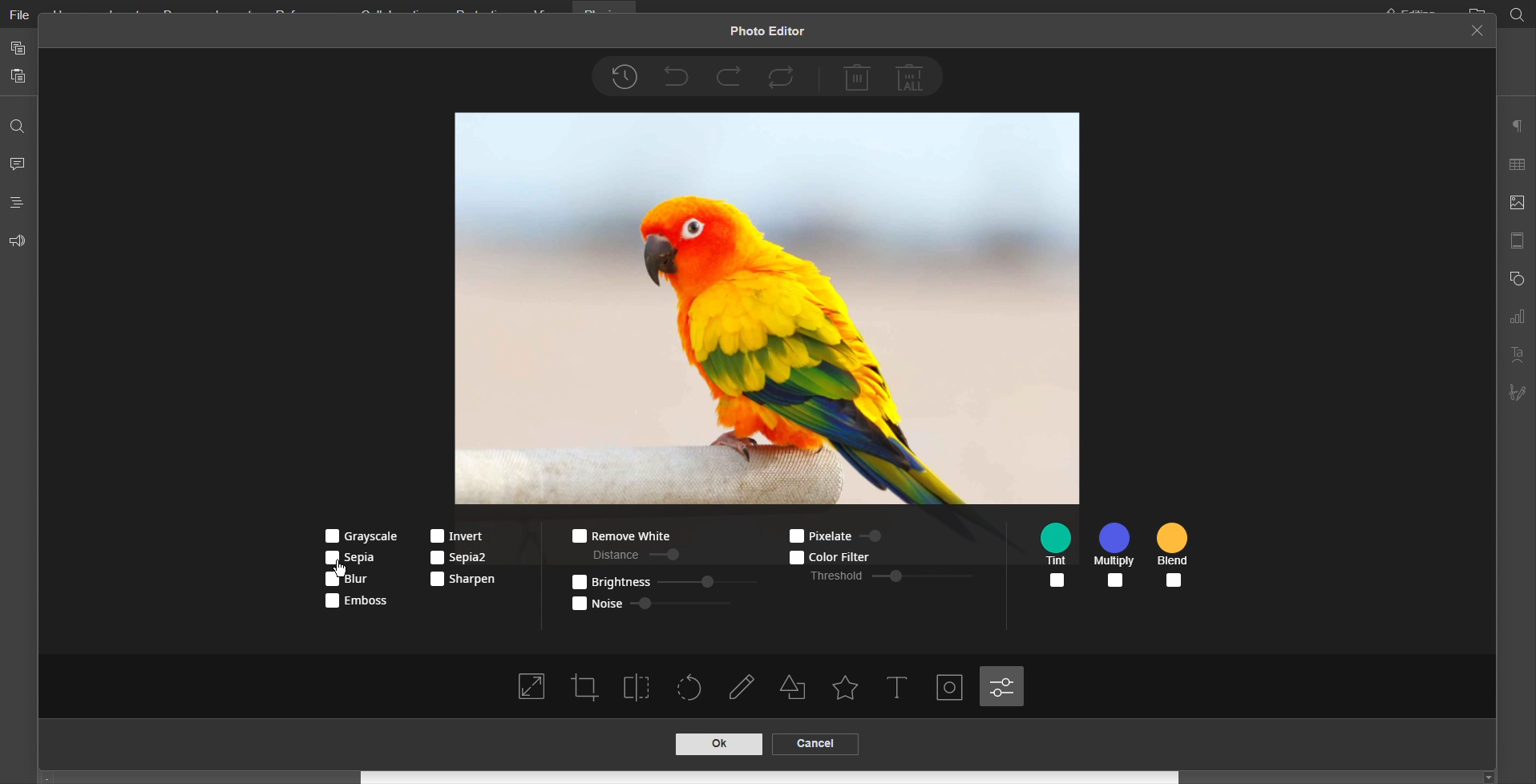  Describe the element at coordinates (1516, 204) in the screenshot. I see `Image Settings` at that location.